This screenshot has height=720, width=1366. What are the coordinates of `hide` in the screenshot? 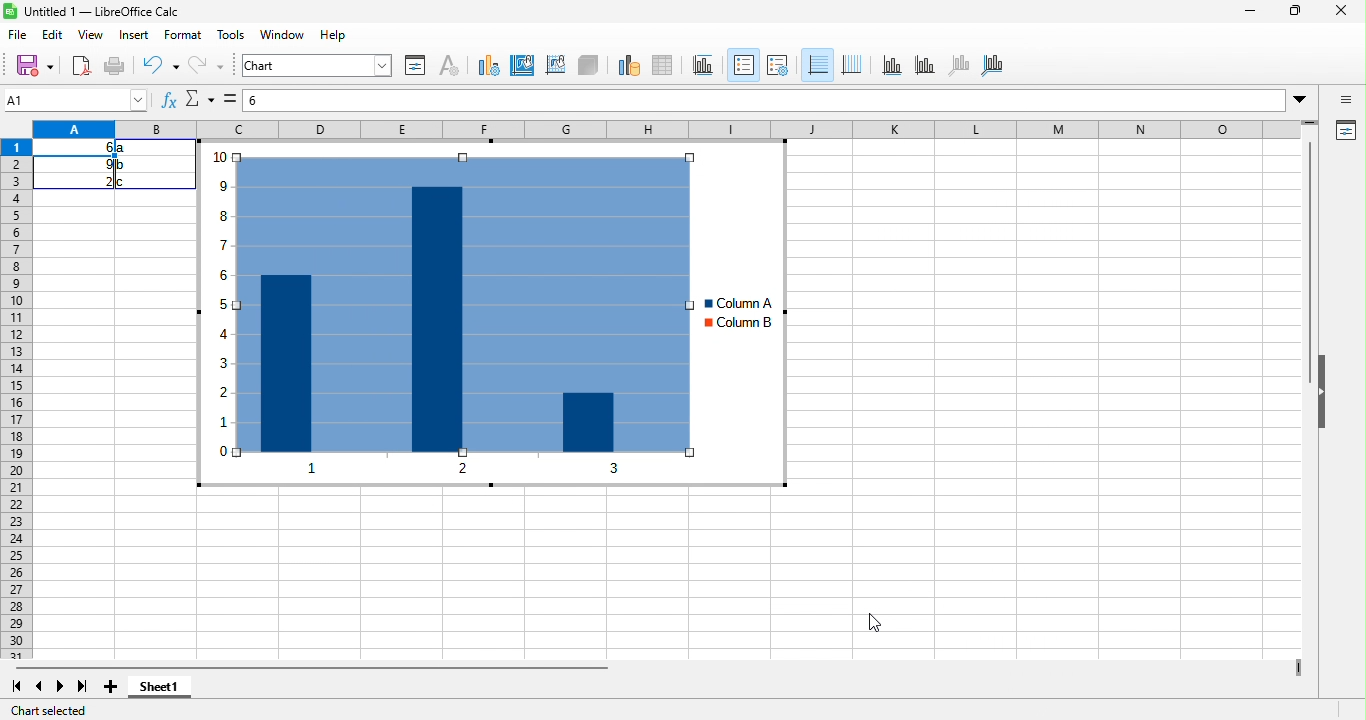 It's located at (1328, 417).